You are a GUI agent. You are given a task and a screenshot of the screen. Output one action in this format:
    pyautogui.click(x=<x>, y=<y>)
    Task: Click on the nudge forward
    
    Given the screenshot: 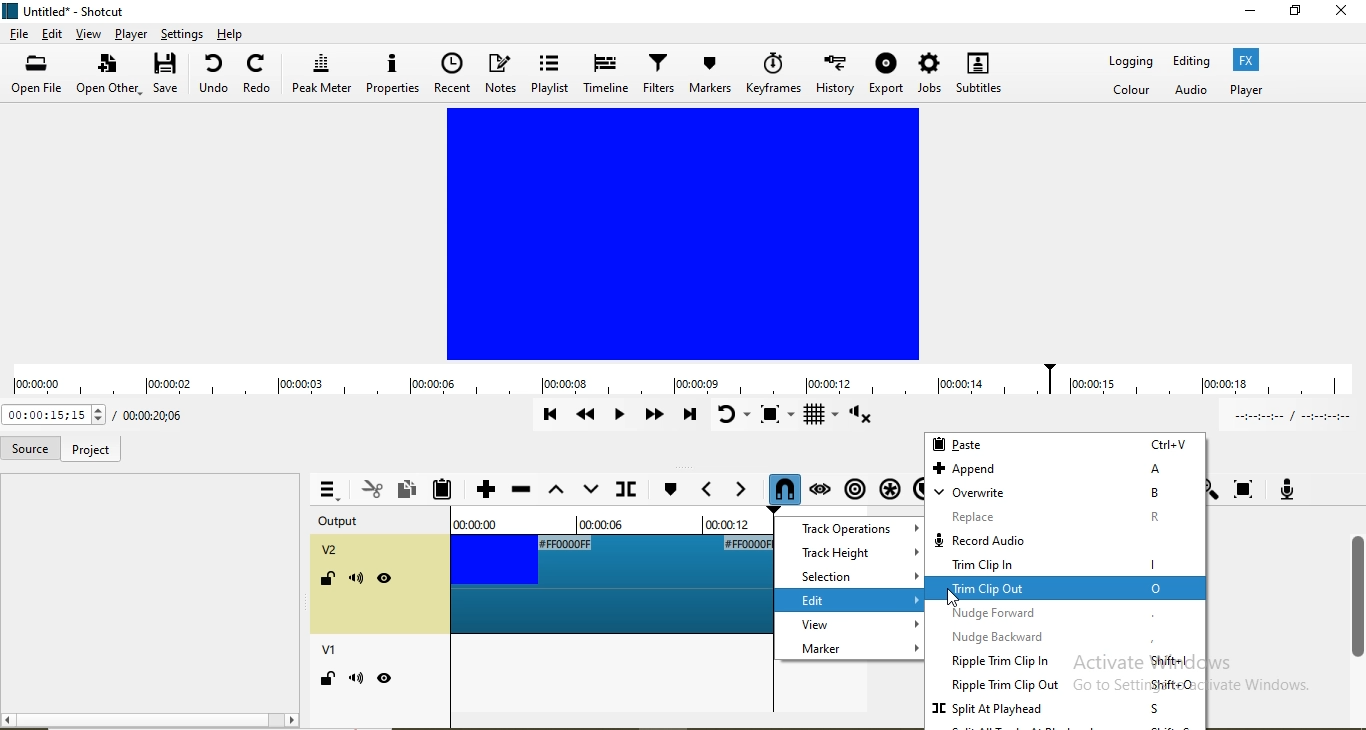 What is the action you would take?
    pyautogui.click(x=1064, y=613)
    